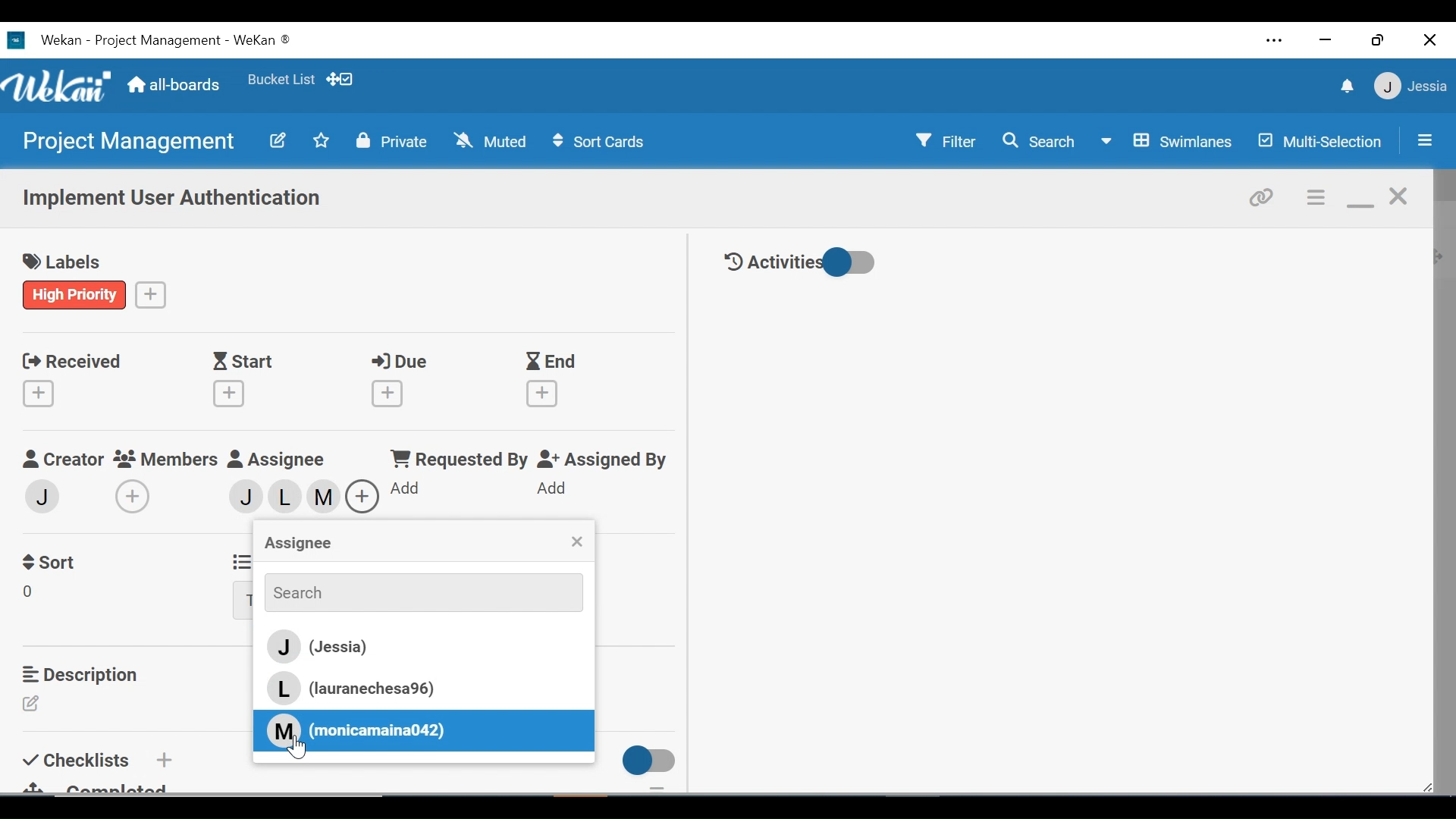 The width and height of the screenshot is (1456, 819). I want to click on Description, so click(84, 674).